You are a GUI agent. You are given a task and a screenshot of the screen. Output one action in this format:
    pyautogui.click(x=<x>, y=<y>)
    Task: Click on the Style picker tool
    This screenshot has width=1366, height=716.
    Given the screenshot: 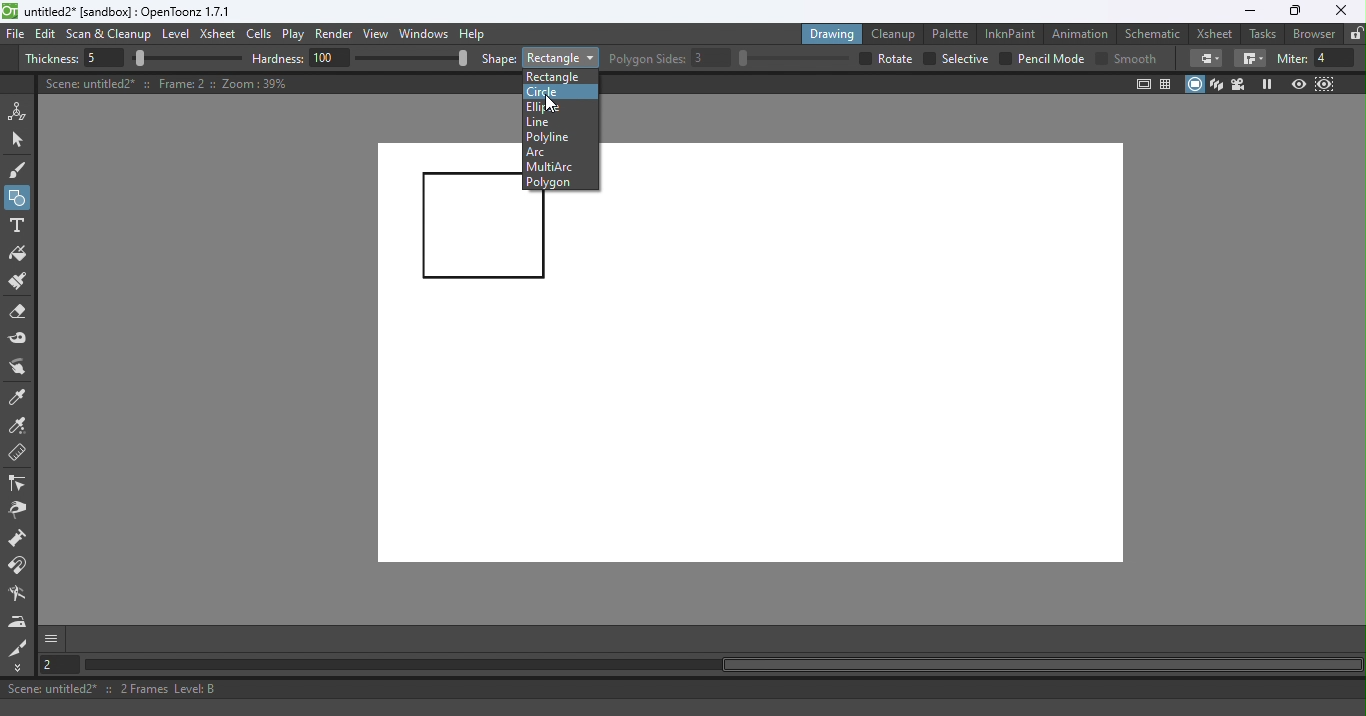 What is the action you would take?
    pyautogui.click(x=19, y=398)
    